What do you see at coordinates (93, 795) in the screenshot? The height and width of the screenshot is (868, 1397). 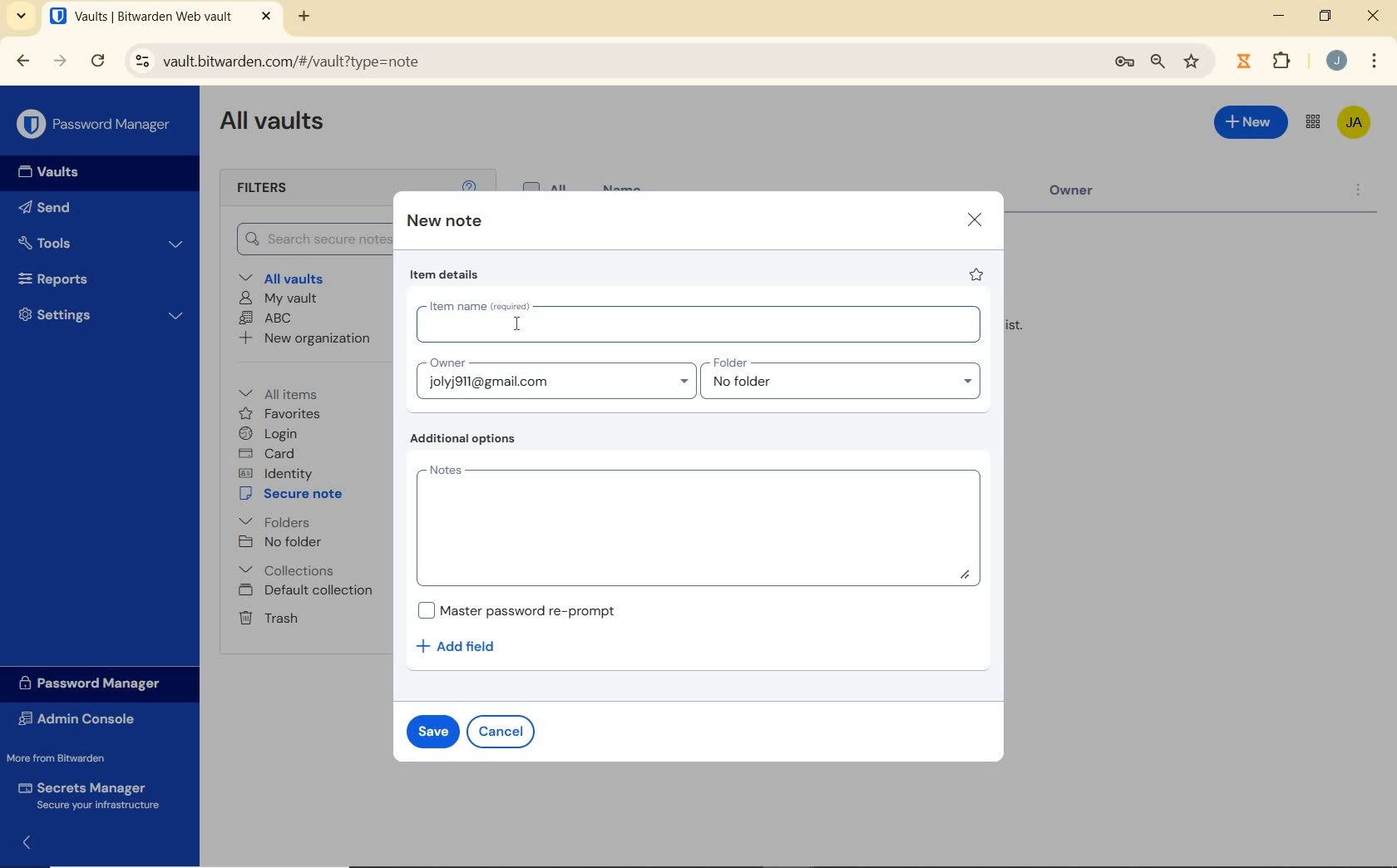 I see `Secrets Manager` at bounding box center [93, 795].